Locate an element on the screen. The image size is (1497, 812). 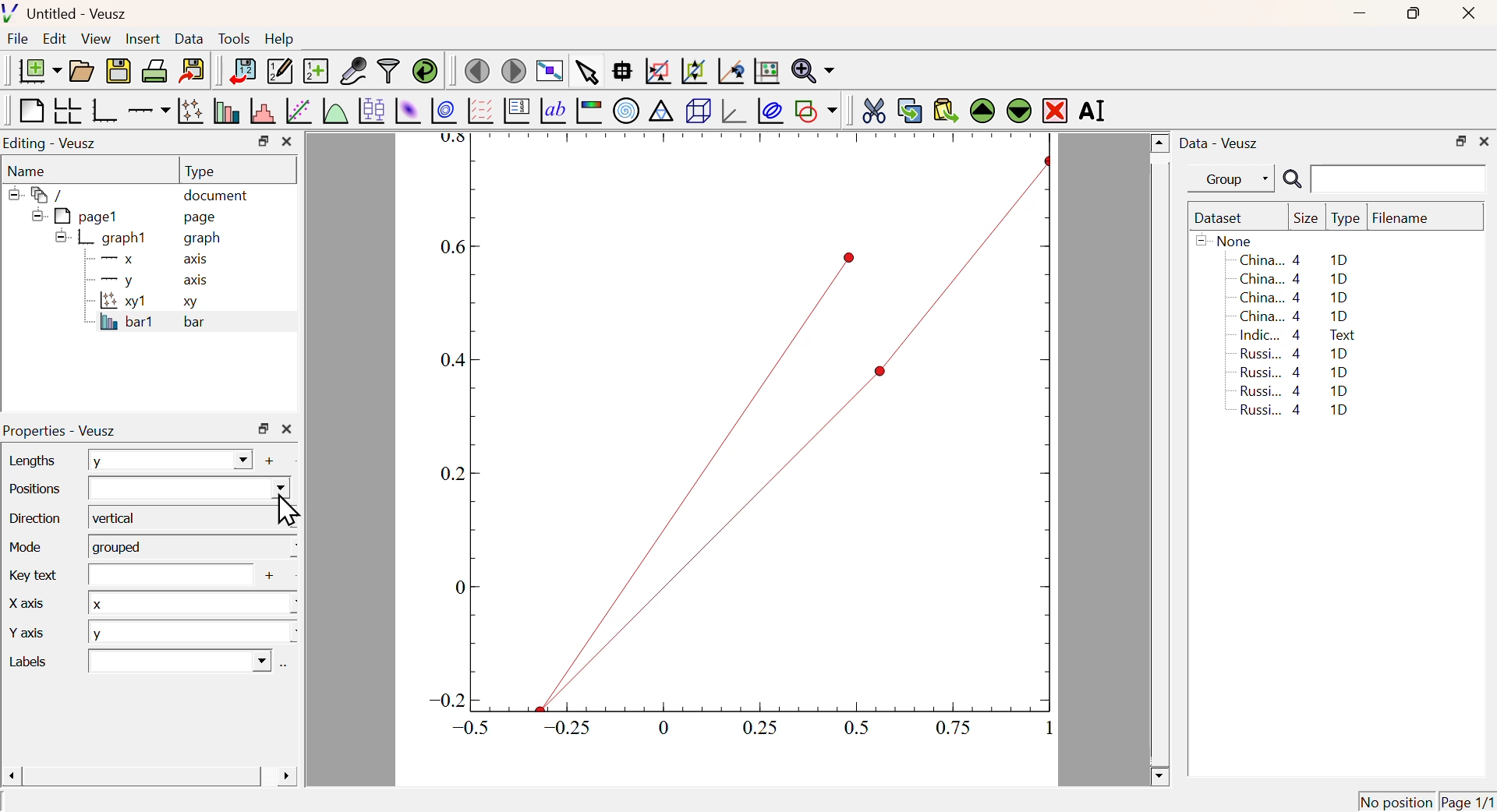
Editing - Veusz is located at coordinates (52, 144).